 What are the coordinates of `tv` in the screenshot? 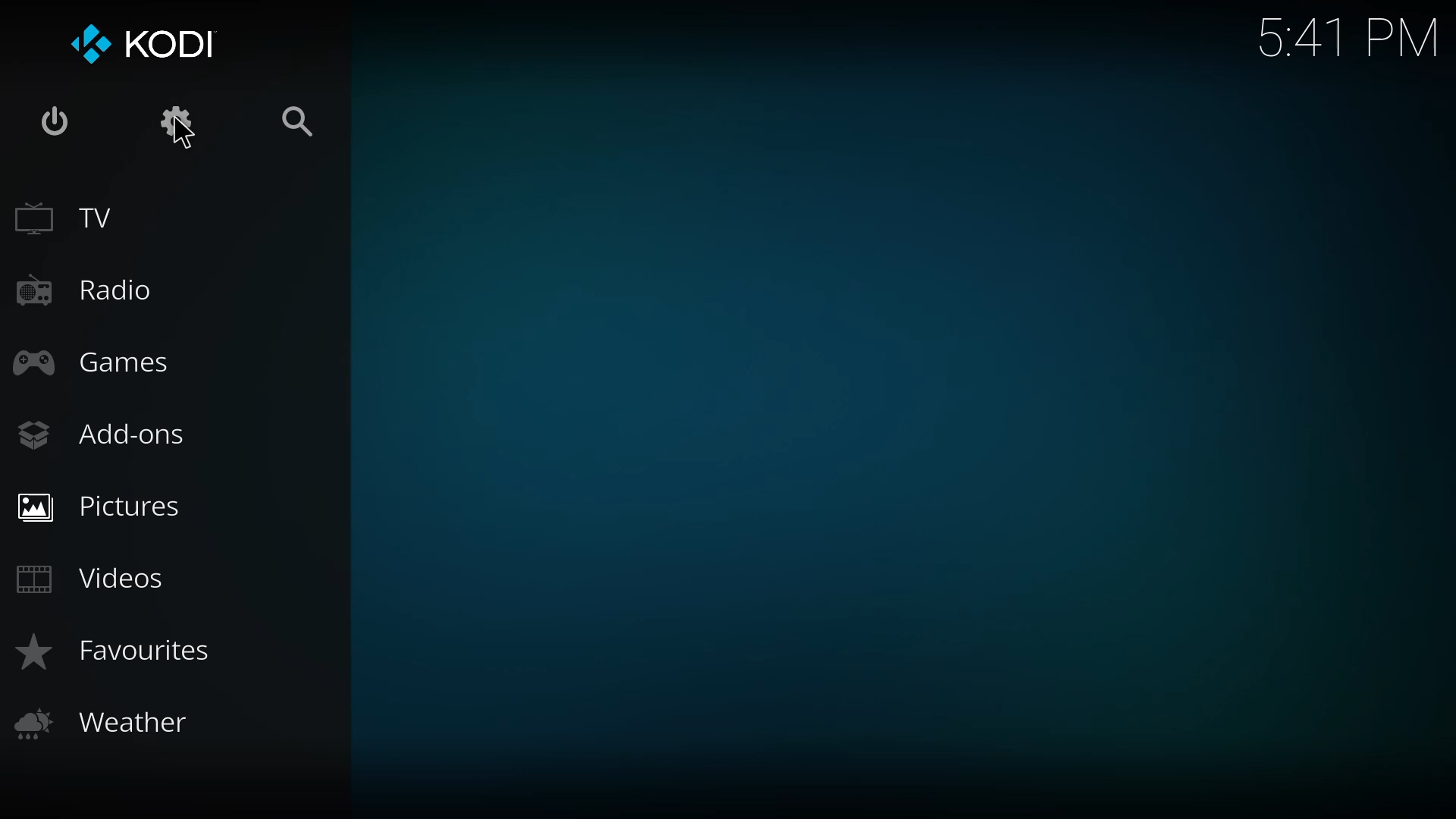 It's located at (82, 219).